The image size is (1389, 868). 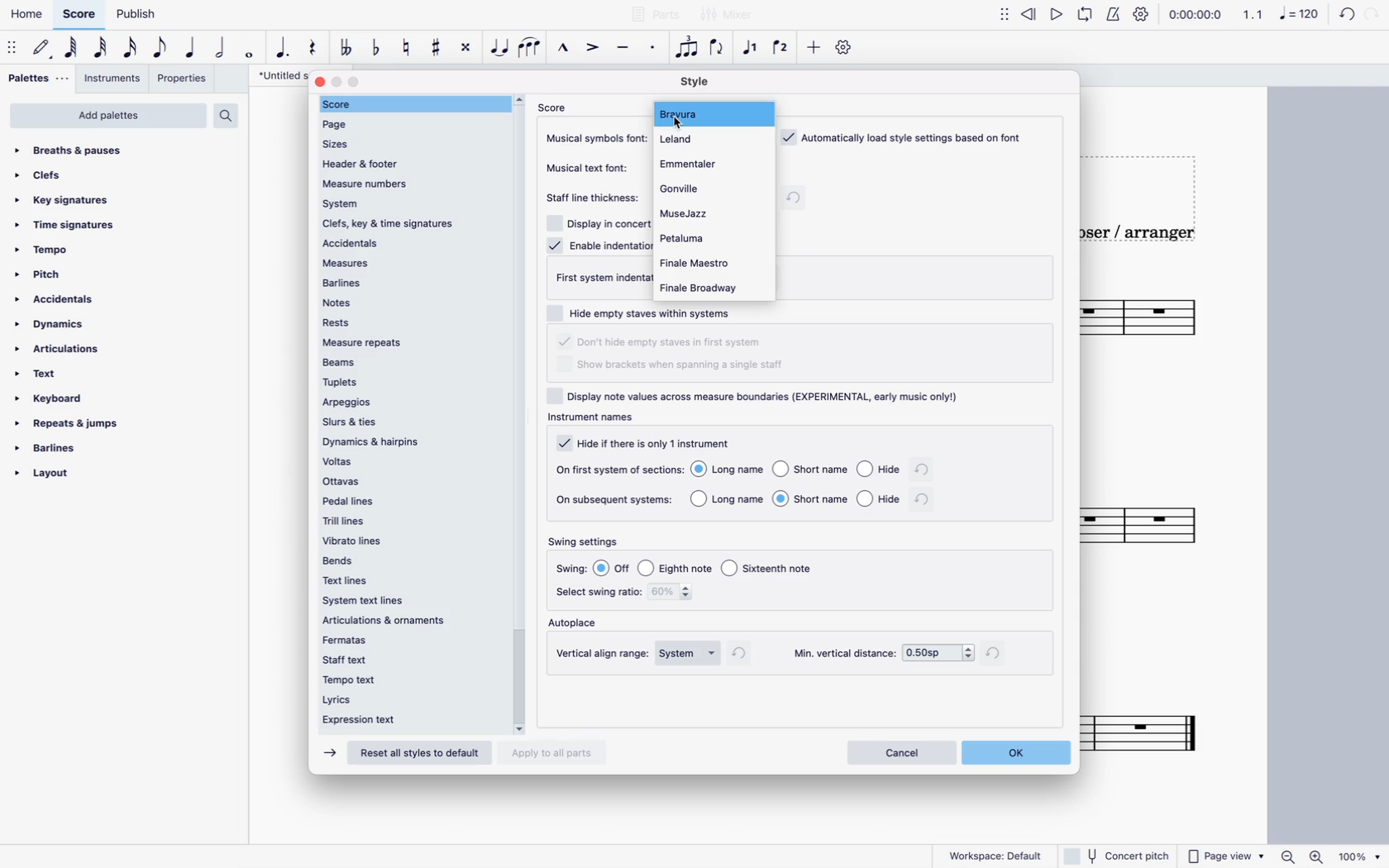 What do you see at coordinates (682, 123) in the screenshot?
I see `Cursor` at bounding box center [682, 123].